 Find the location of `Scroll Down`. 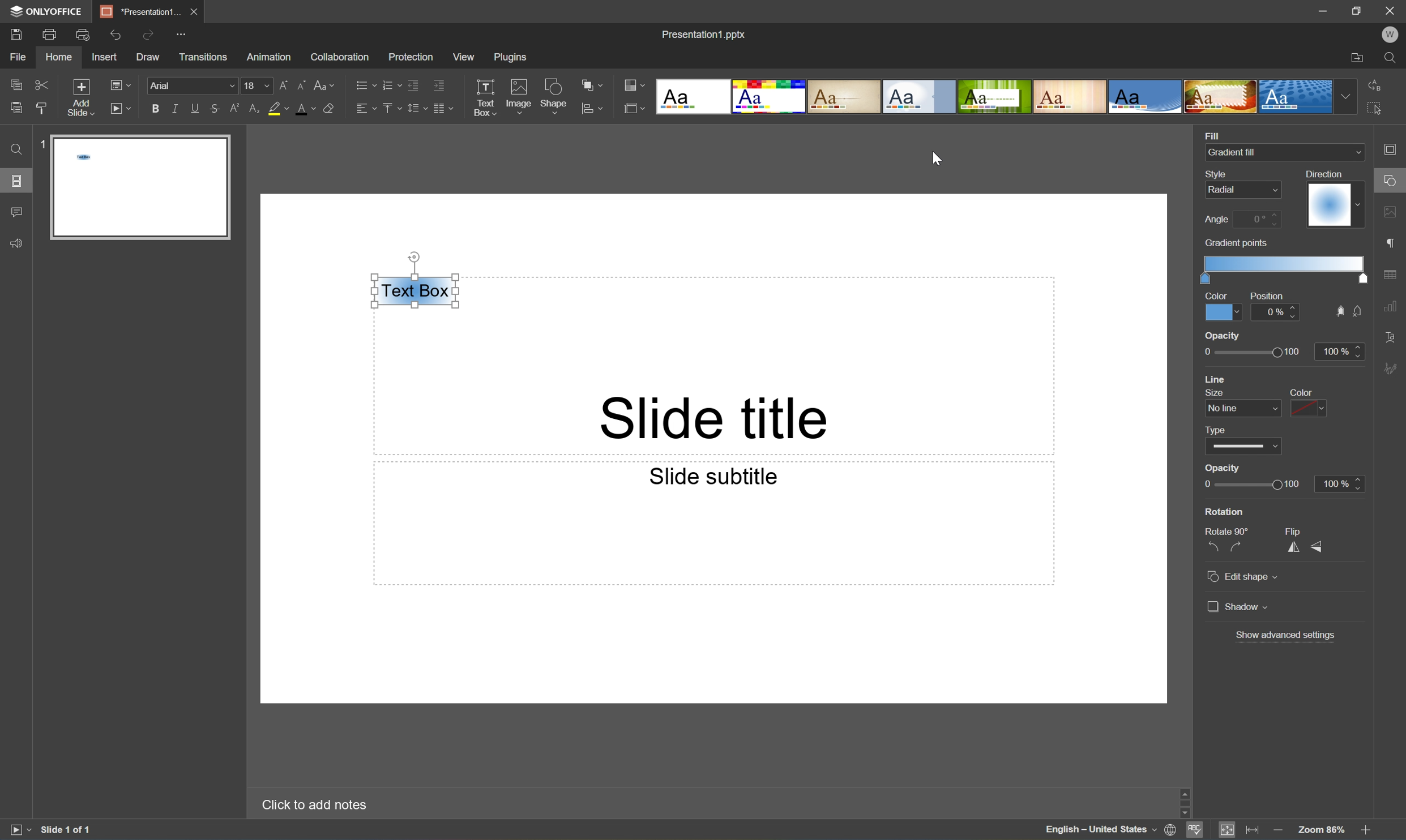

Scroll Down is located at coordinates (1366, 812).